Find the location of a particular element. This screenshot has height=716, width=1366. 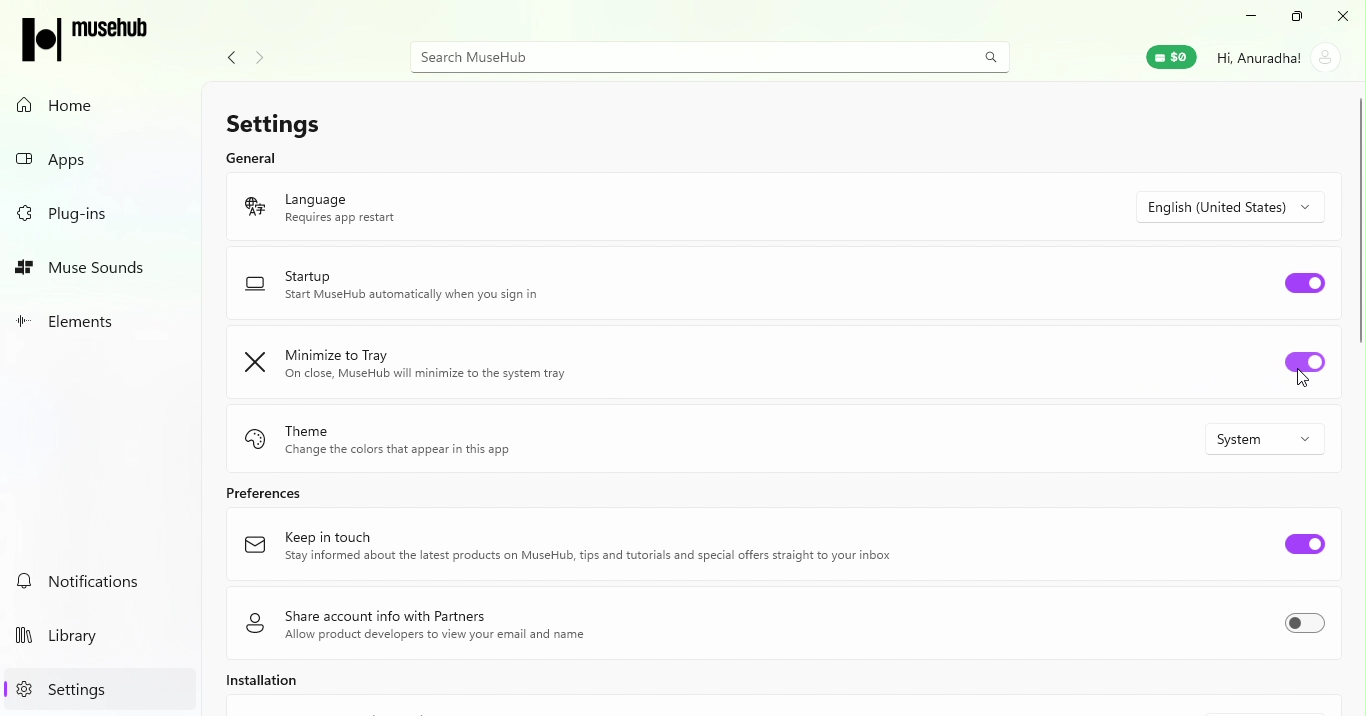

Home is located at coordinates (60, 106).